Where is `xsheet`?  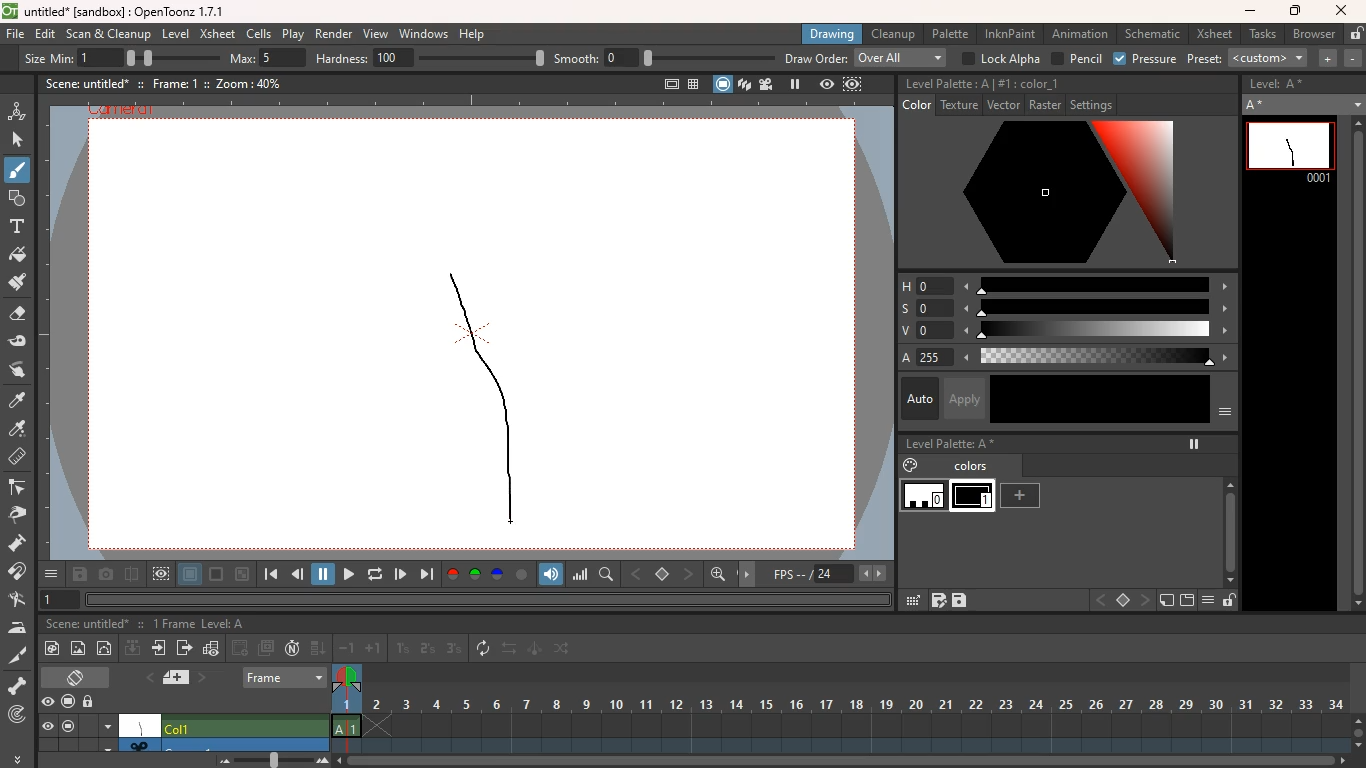 xsheet is located at coordinates (218, 35).